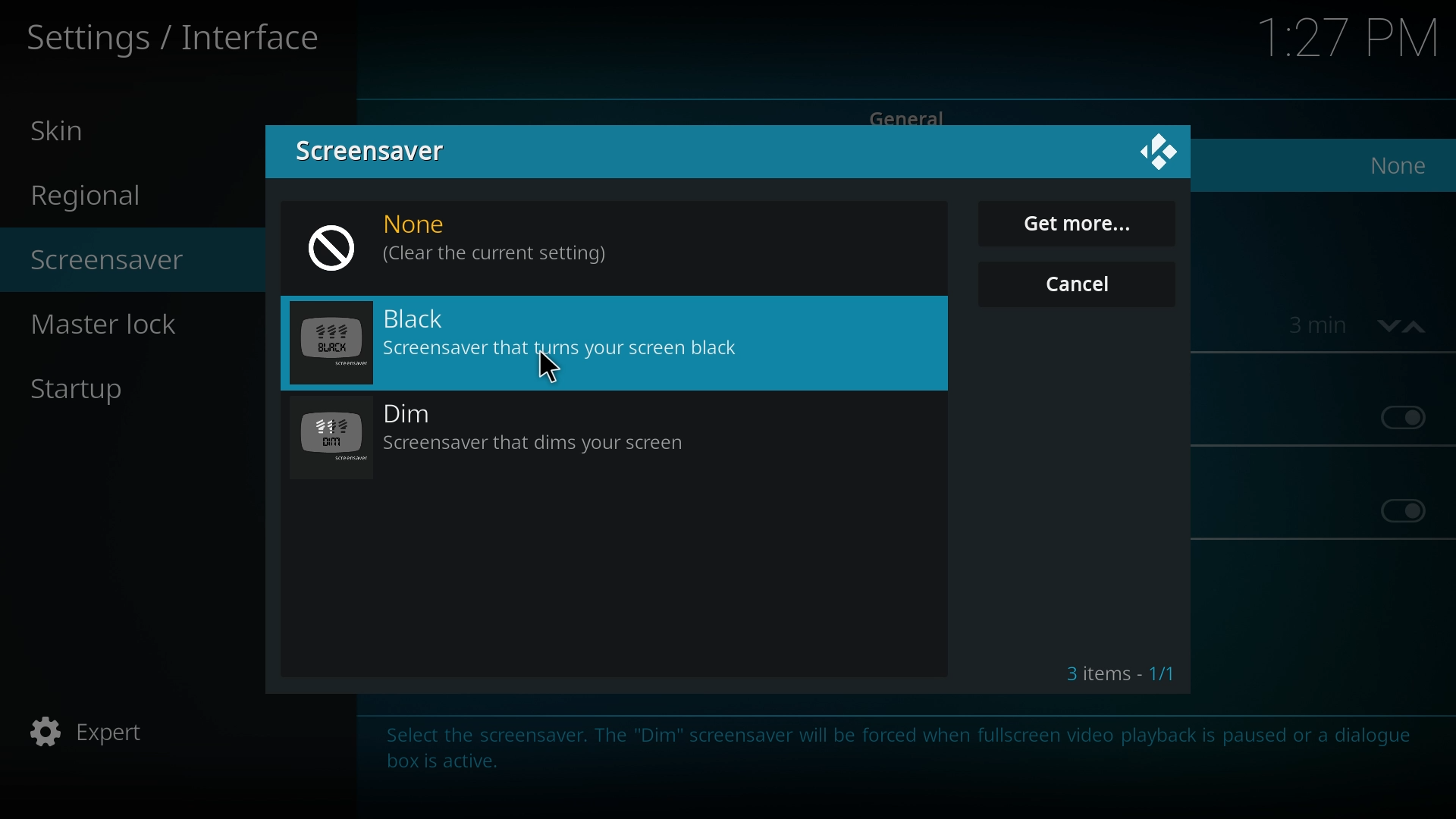 The height and width of the screenshot is (819, 1456). What do you see at coordinates (116, 128) in the screenshot?
I see `skin` at bounding box center [116, 128].